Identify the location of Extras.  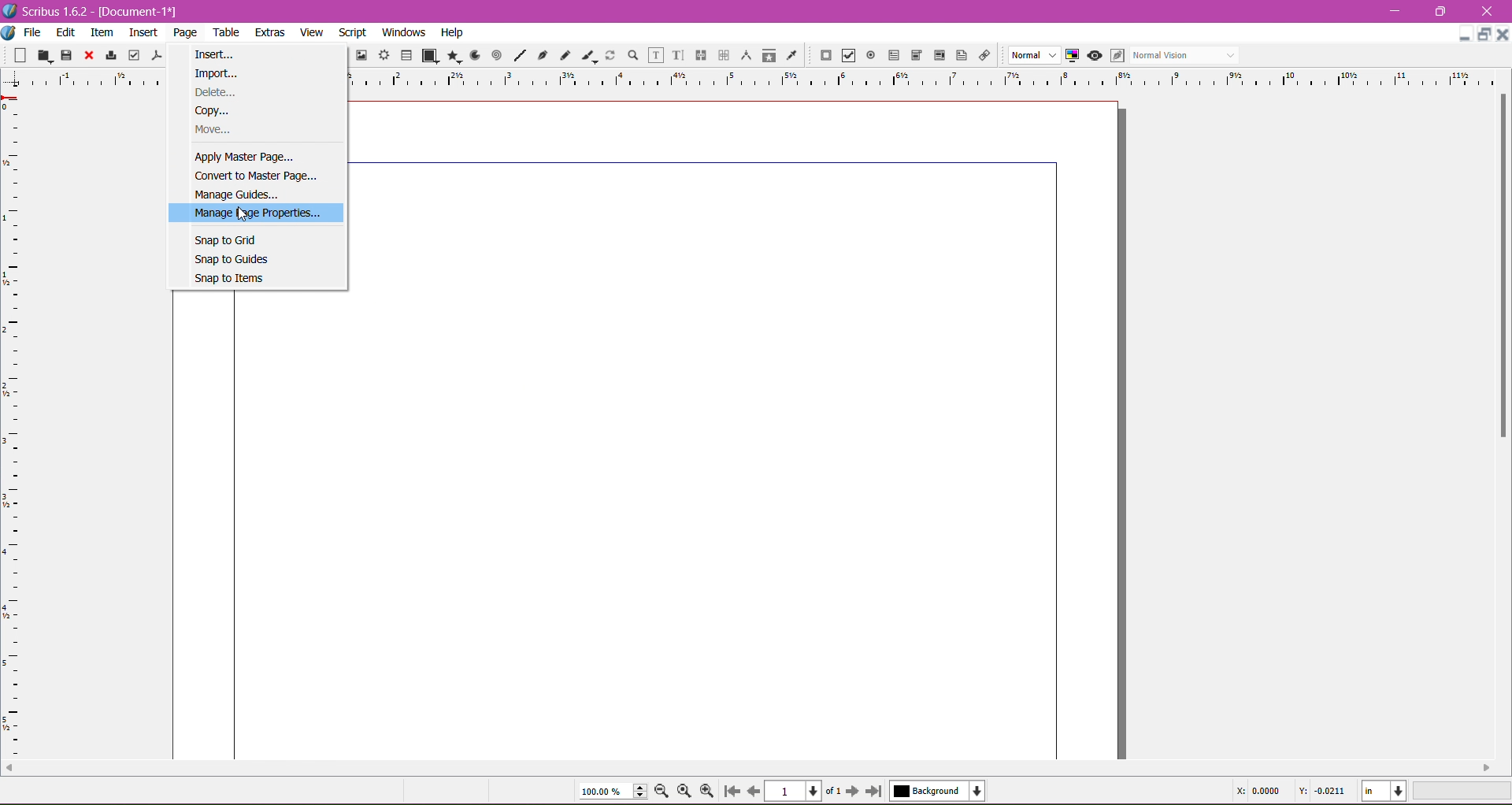
(269, 32).